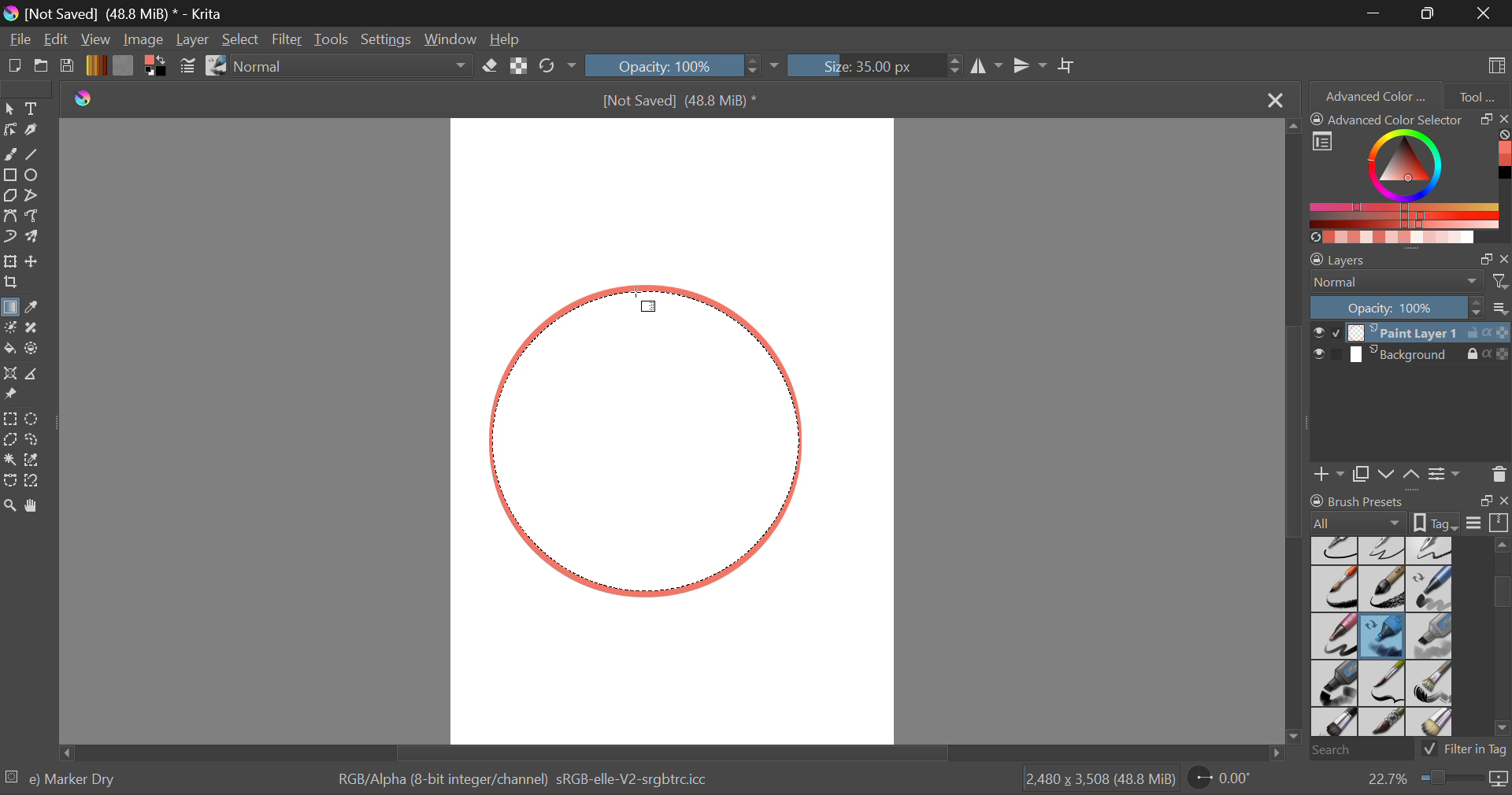 This screenshot has width=1512, height=795. Describe the element at coordinates (187, 67) in the screenshot. I see `Brush Settings` at that location.